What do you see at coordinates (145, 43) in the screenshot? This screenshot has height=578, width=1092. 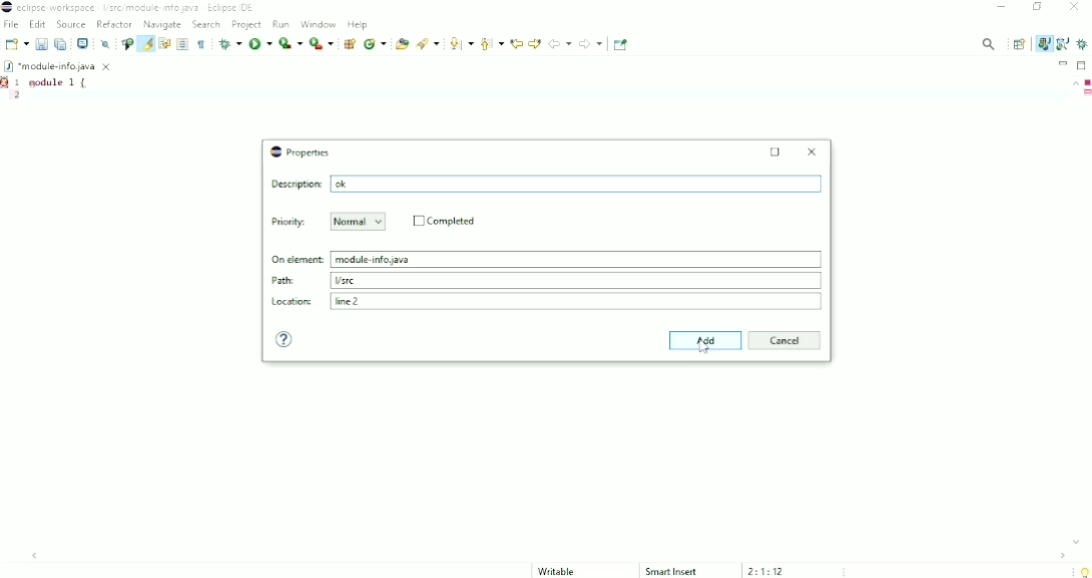 I see `Toggle mark occurrences` at bounding box center [145, 43].